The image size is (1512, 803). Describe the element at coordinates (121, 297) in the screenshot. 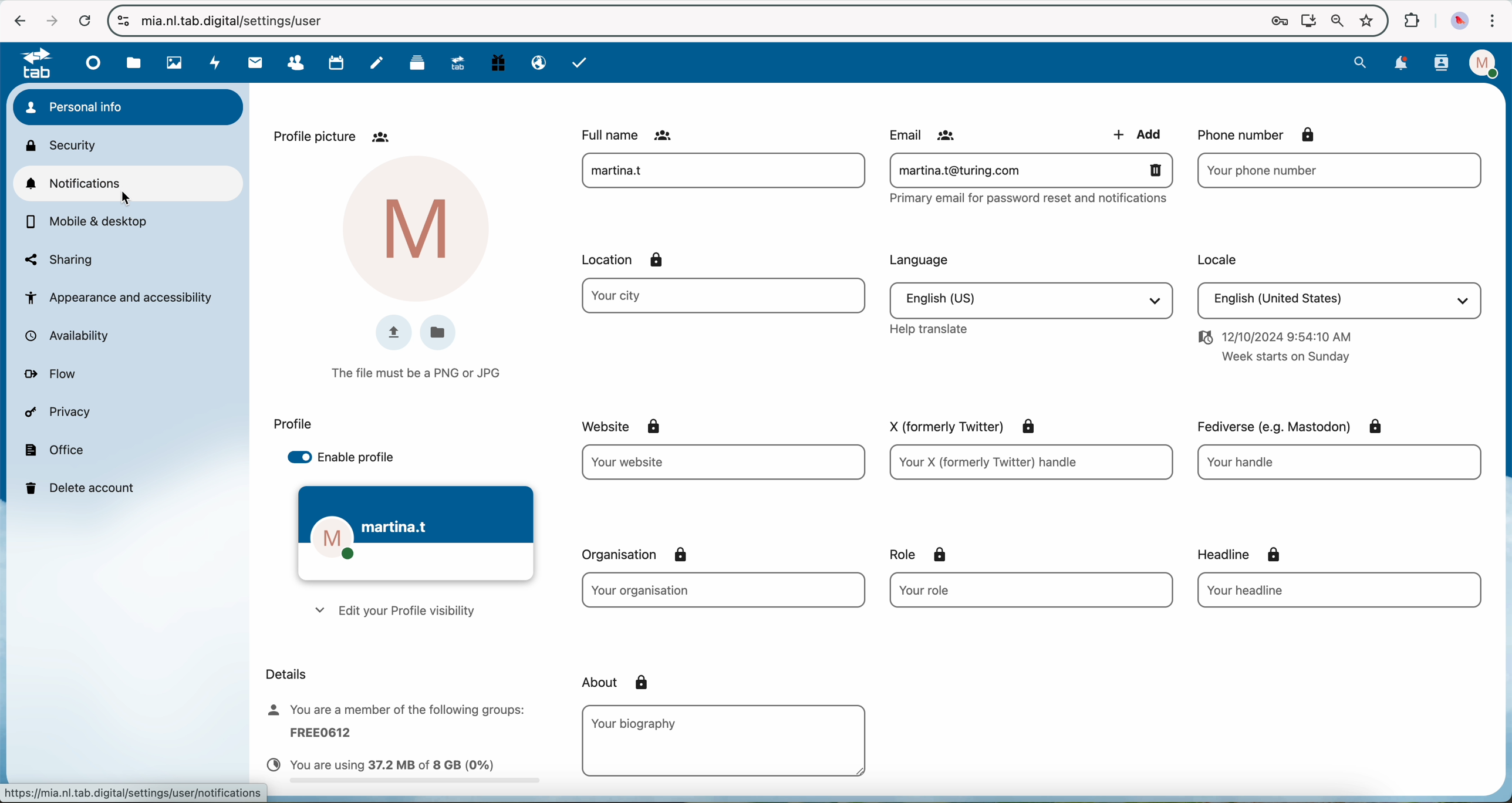

I see `appearance and accessibility` at that location.